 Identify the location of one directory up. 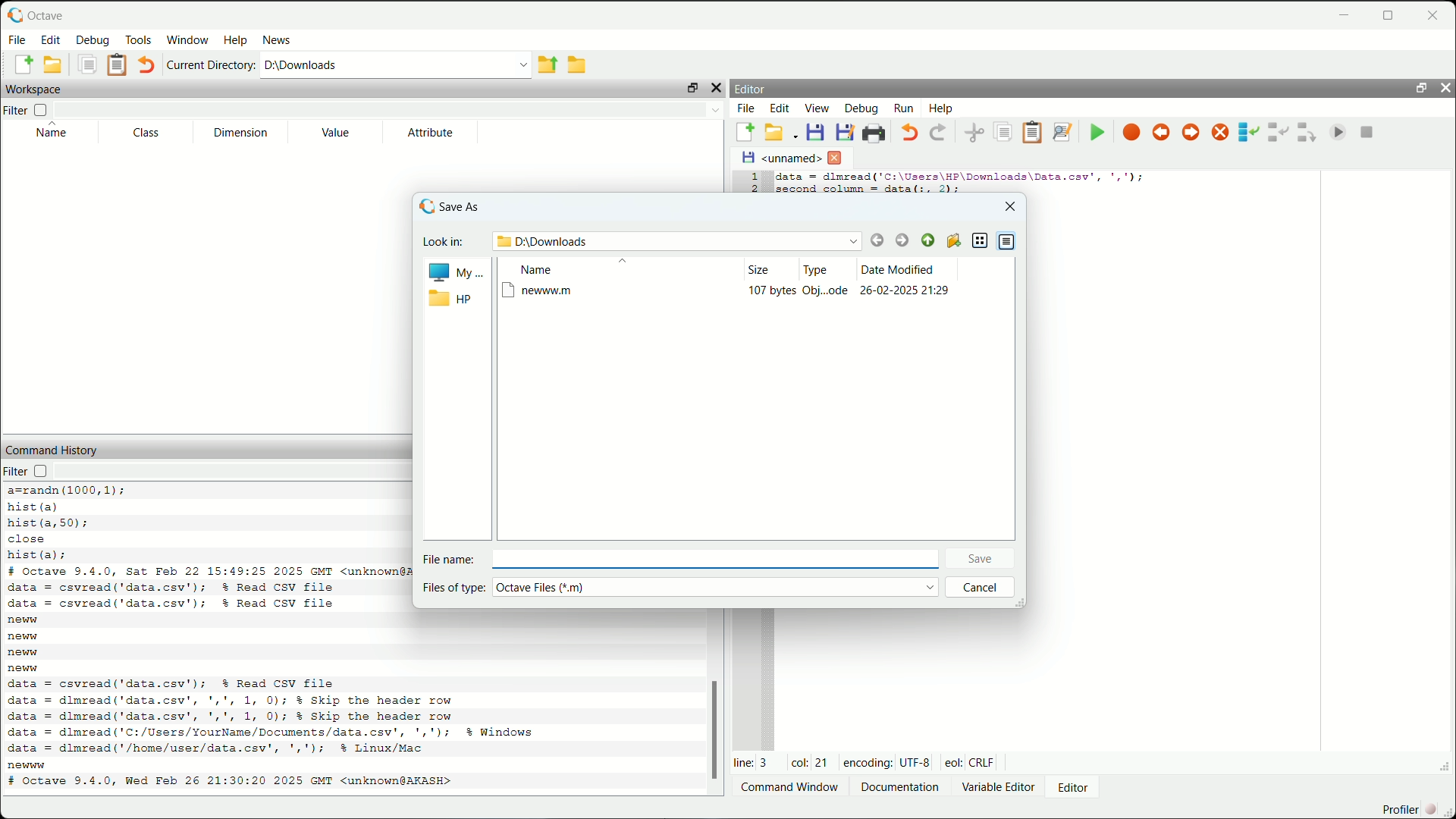
(546, 65).